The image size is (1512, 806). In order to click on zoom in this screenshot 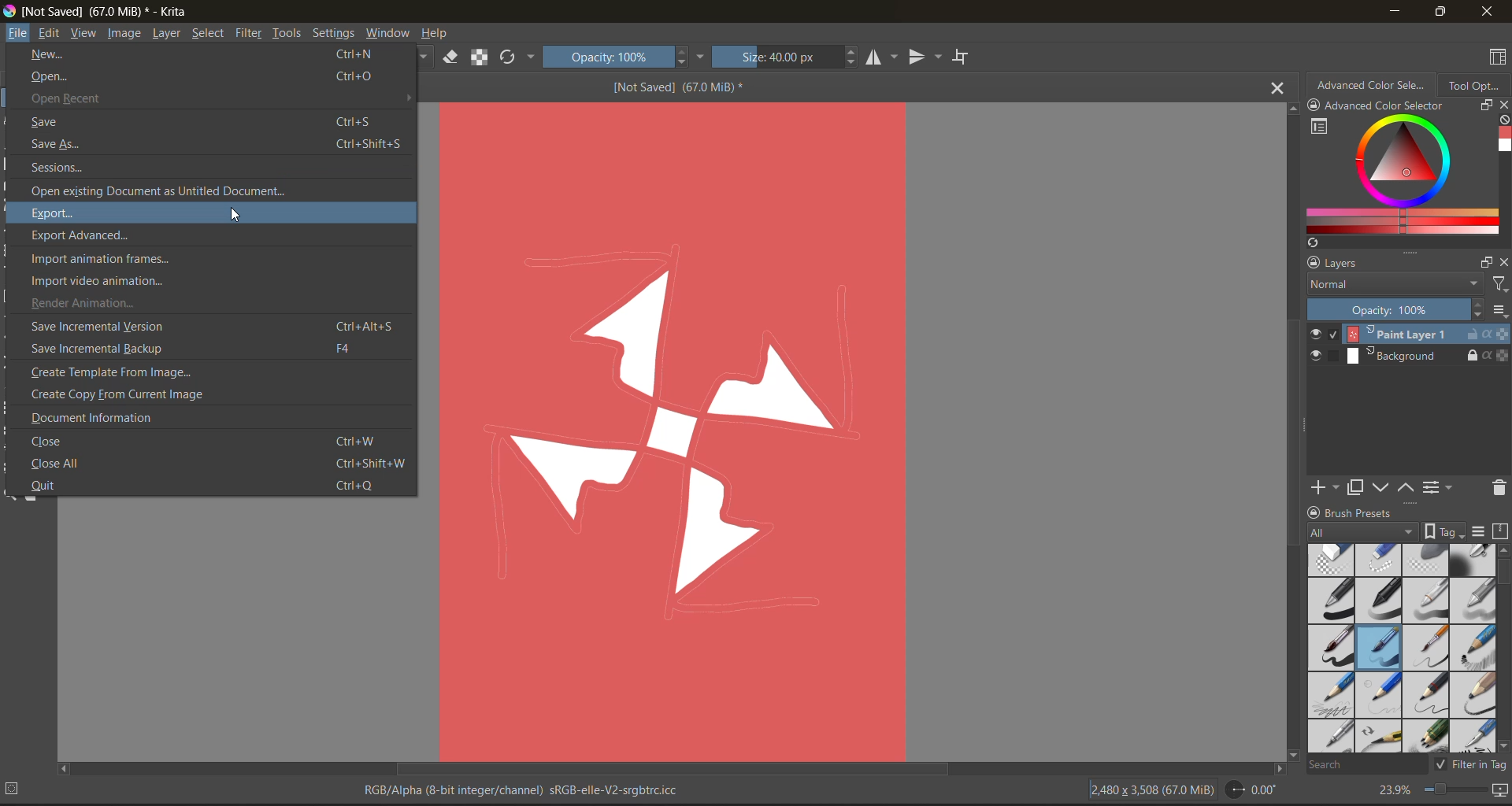, I will do `click(1458, 791)`.